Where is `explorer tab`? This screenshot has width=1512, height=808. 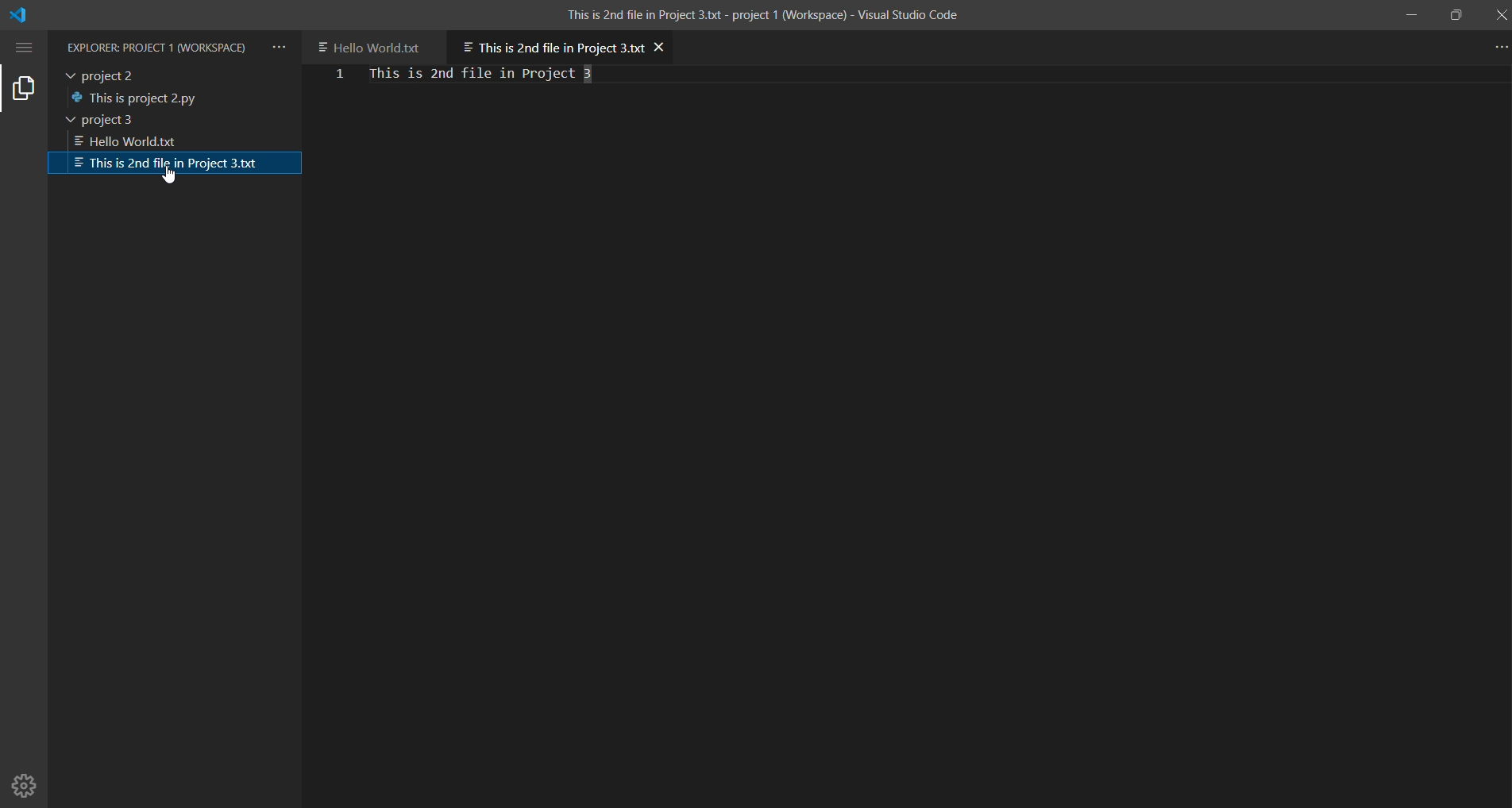 explorer tab is located at coordinates (24, 87).